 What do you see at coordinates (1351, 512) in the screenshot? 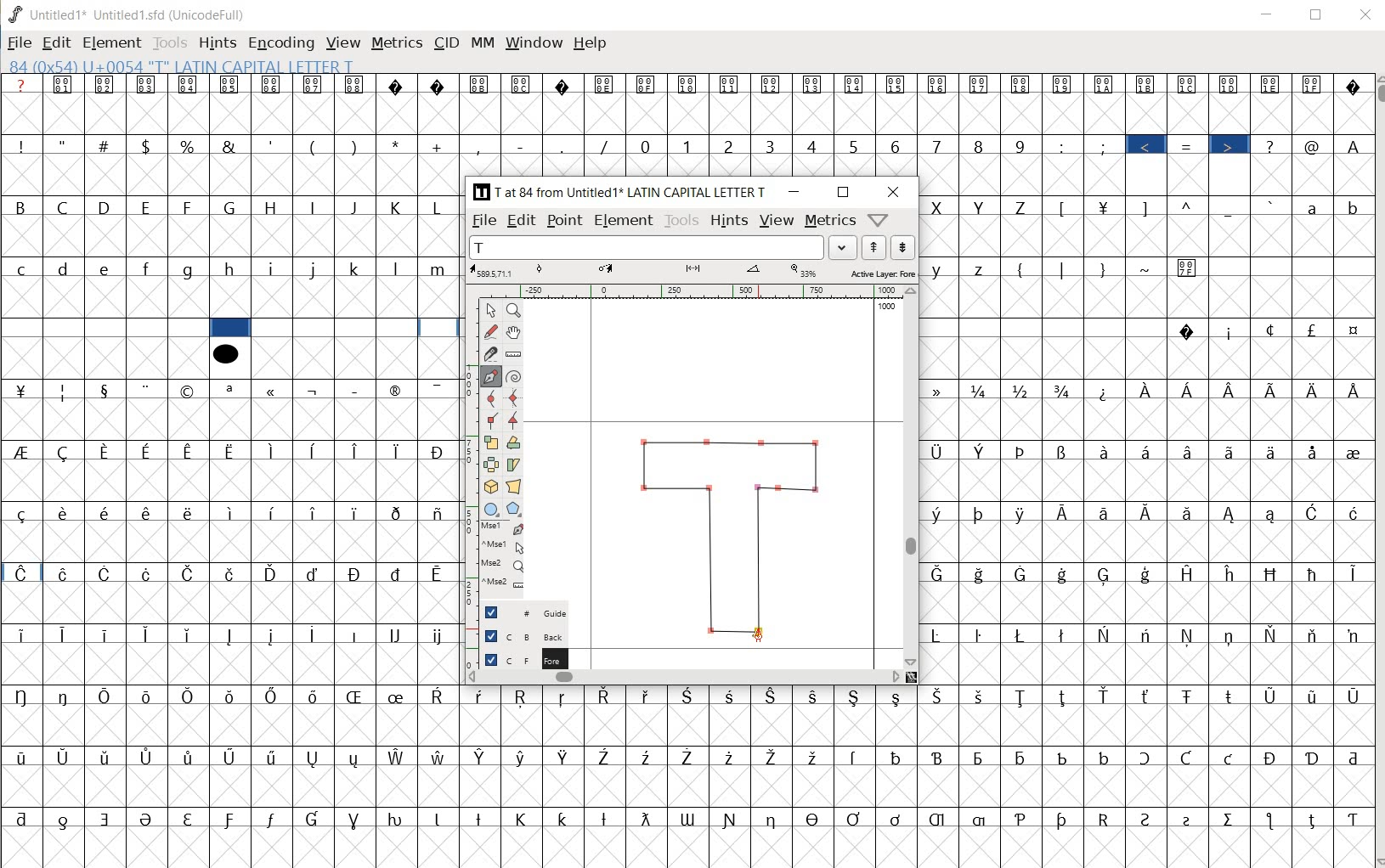
I see `Symbol` at bounding box center [1351, 512].